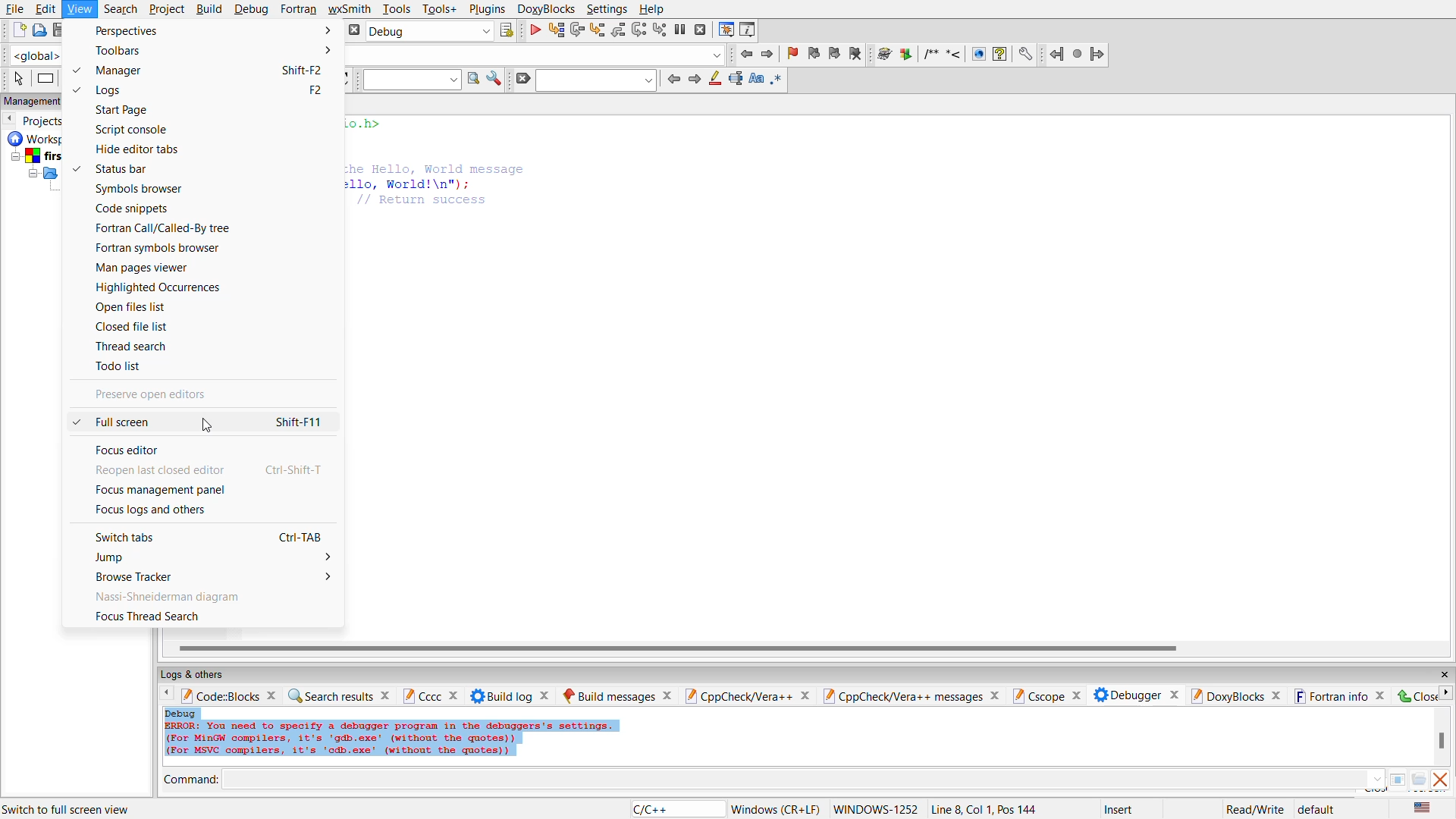  Describe the element at coordinates (682, 645) in the screenshot. I see `horizontal scroll bar` at that location.